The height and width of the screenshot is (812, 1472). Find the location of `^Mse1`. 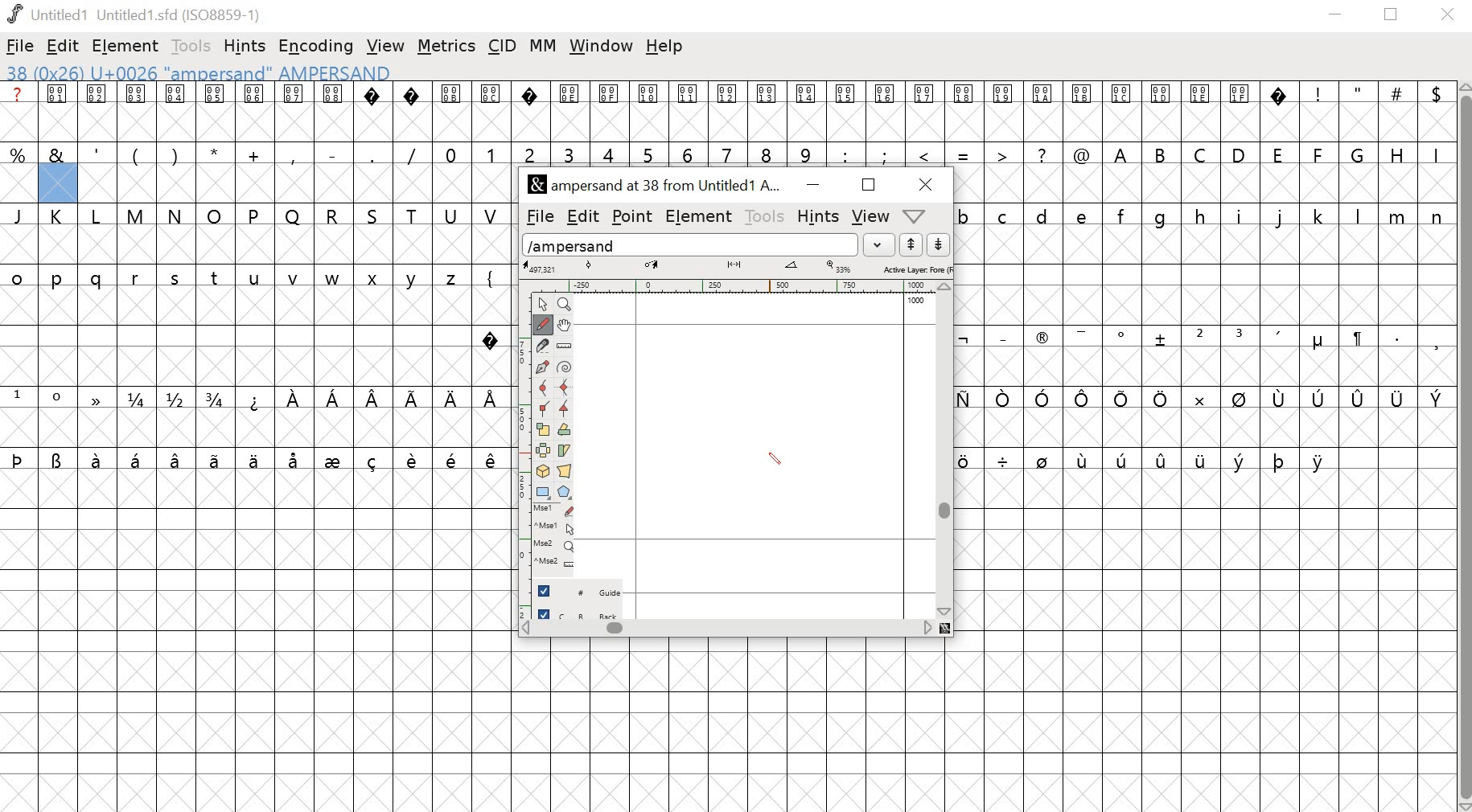

^Mse1 is located at coordinates (556, 527).